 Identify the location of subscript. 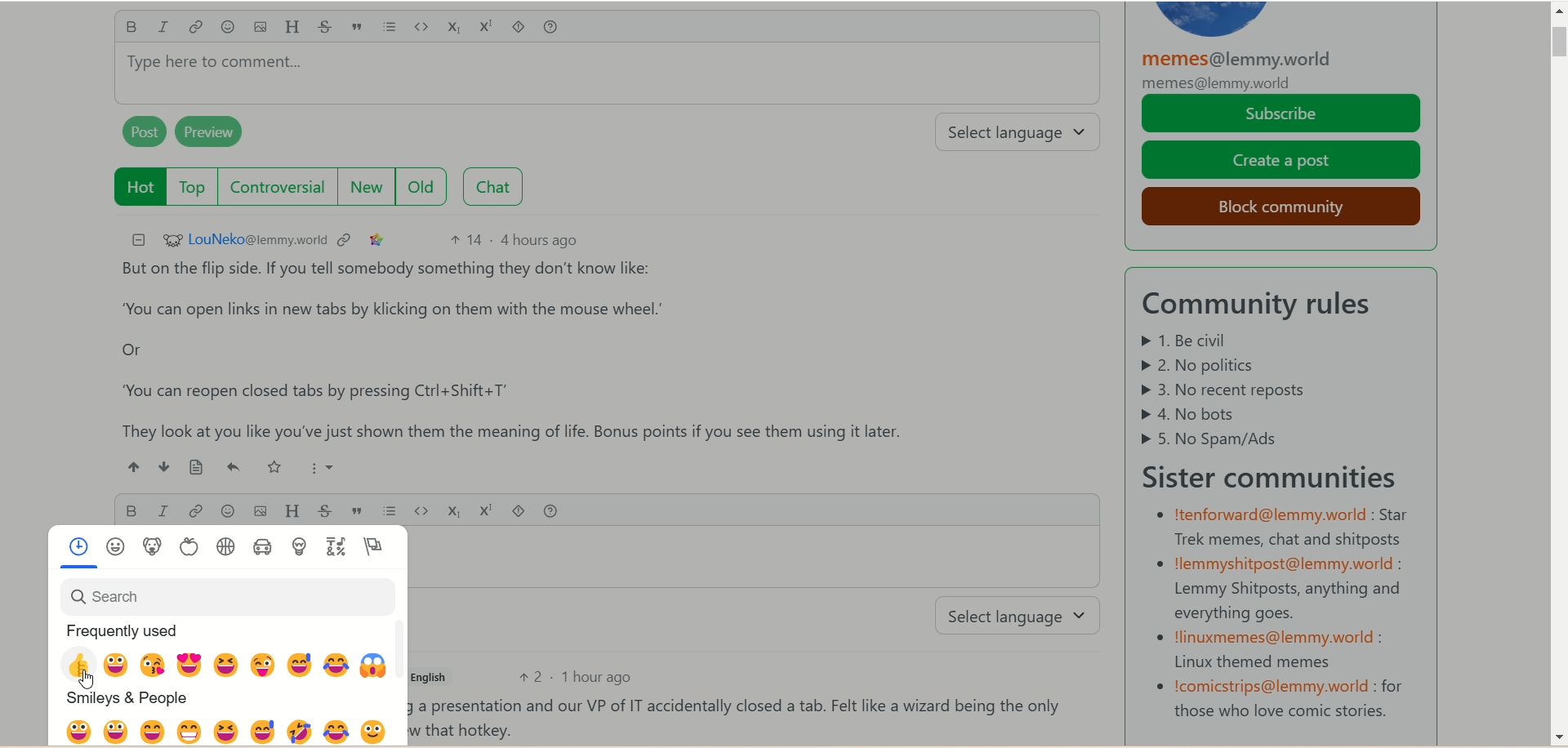
(457, 29).